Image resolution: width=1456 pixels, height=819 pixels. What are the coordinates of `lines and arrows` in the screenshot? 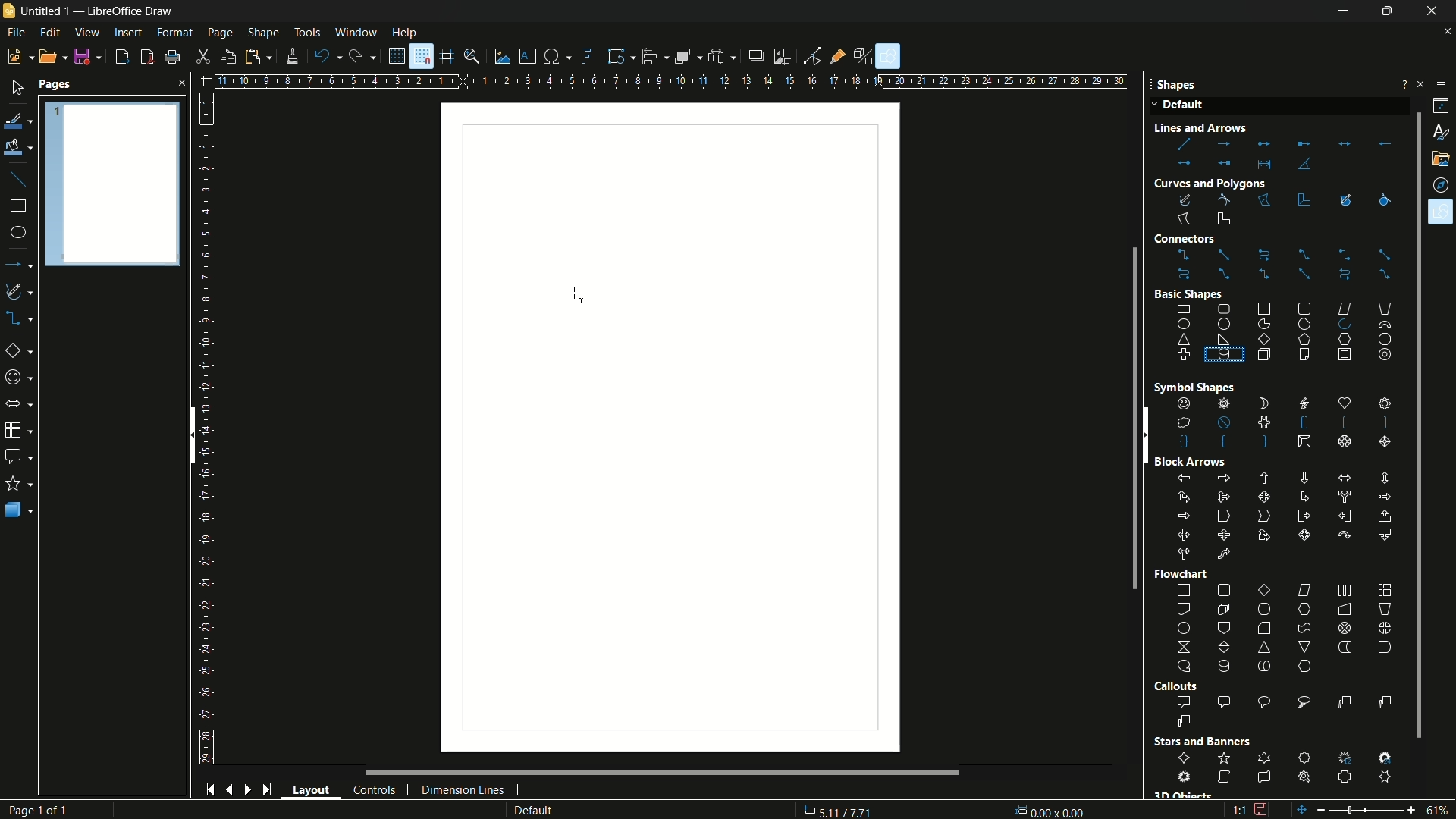 It's located at (1281, 153).